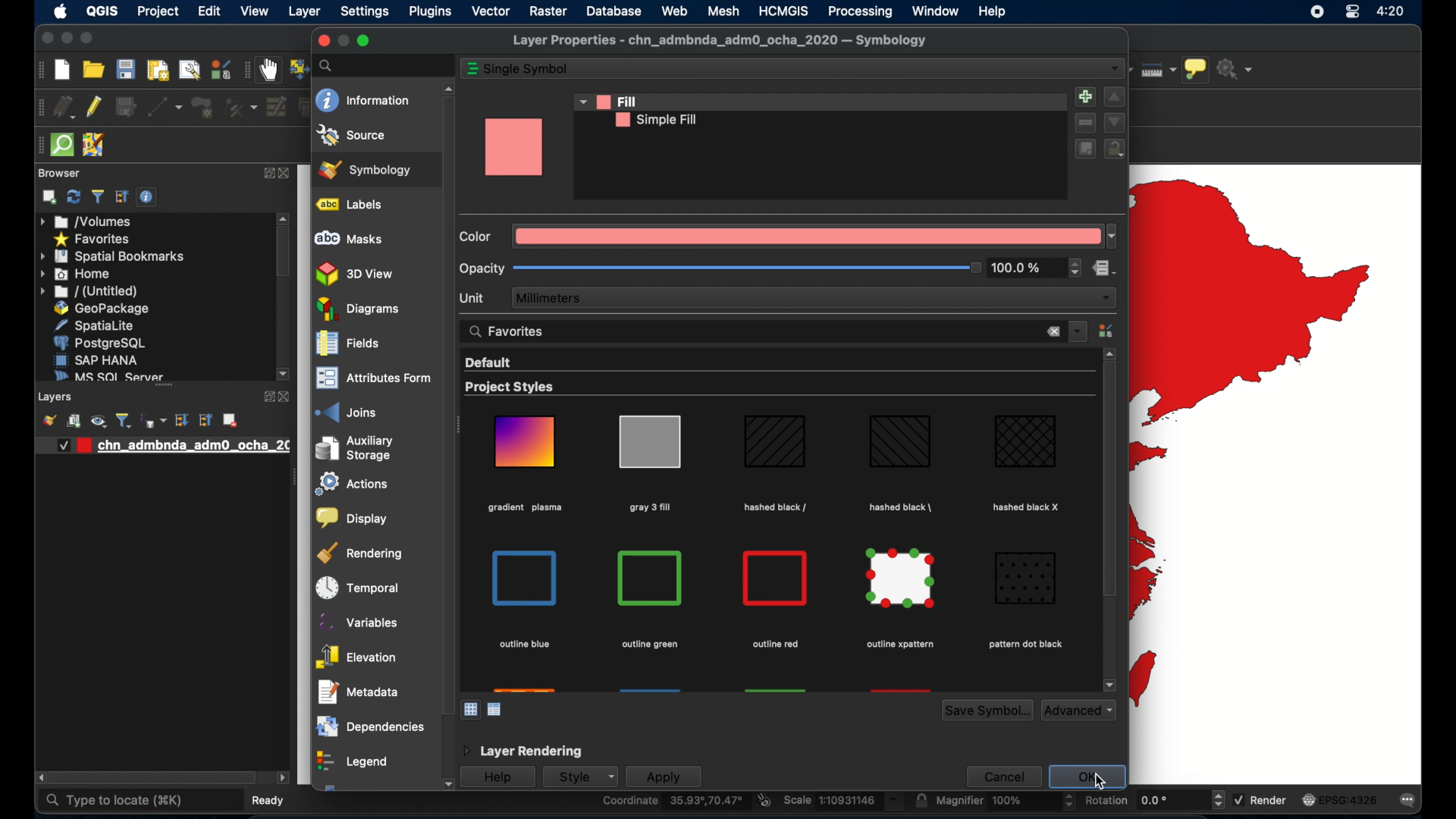 The image size is (1456, 819). Describe the element at coordinates (359, 692) in the screenshot. I see `metadata` at that location.